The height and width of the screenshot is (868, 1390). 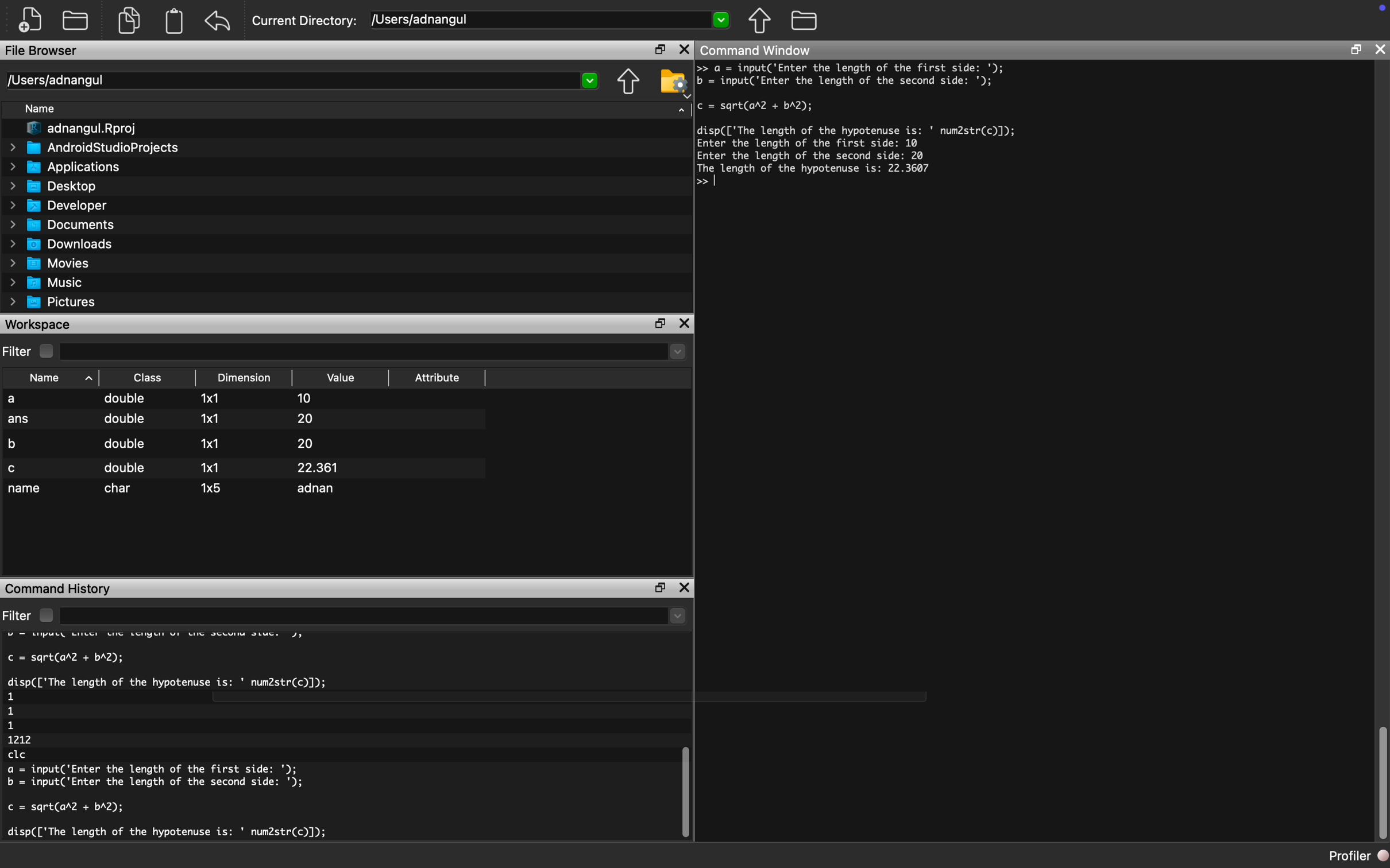 I want to click on Current Directory:, so click(x=306, y=22).